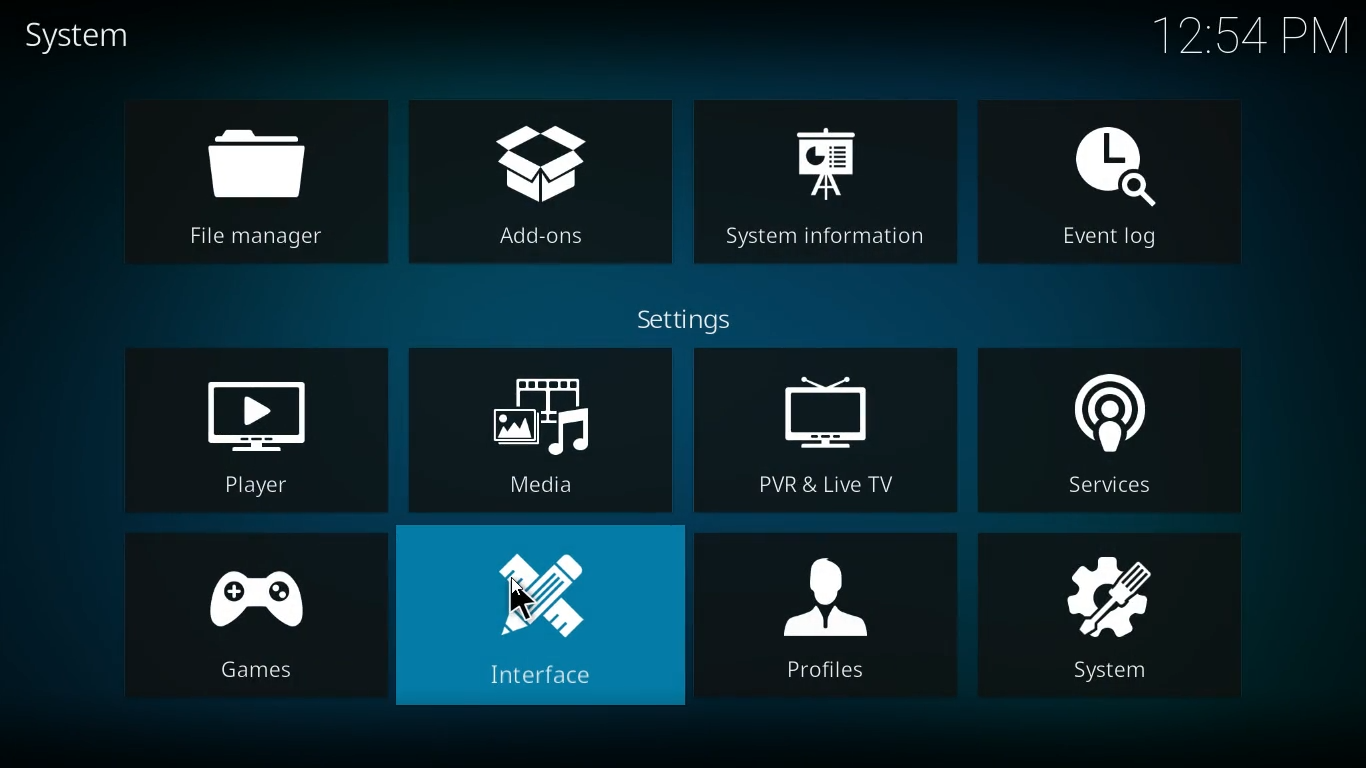 The image size is (1366, 768). I want to click on time, so click(1247, 36).